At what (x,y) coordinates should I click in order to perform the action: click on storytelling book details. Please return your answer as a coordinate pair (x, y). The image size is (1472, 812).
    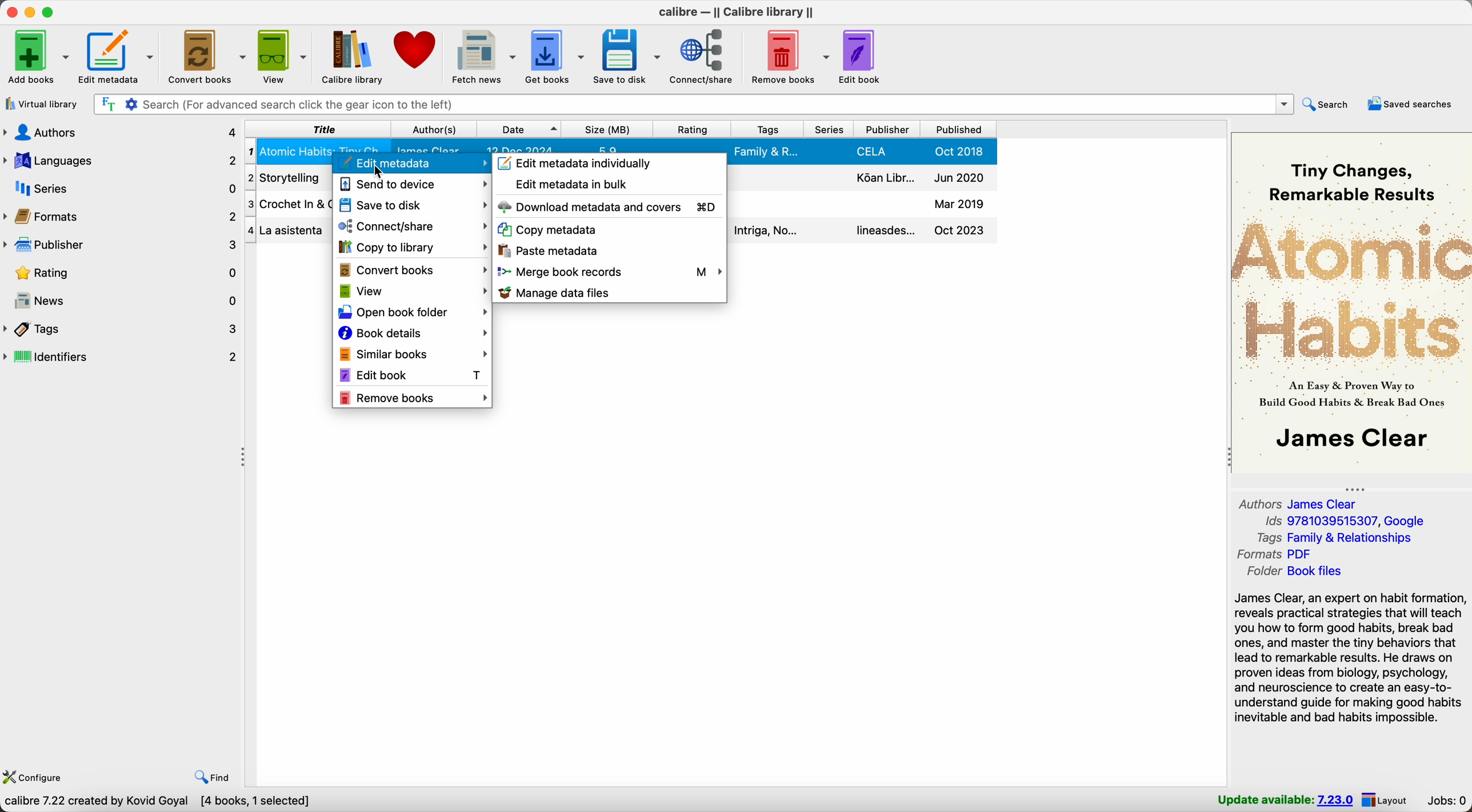
    Looking at the image, I should click on (865, 179).